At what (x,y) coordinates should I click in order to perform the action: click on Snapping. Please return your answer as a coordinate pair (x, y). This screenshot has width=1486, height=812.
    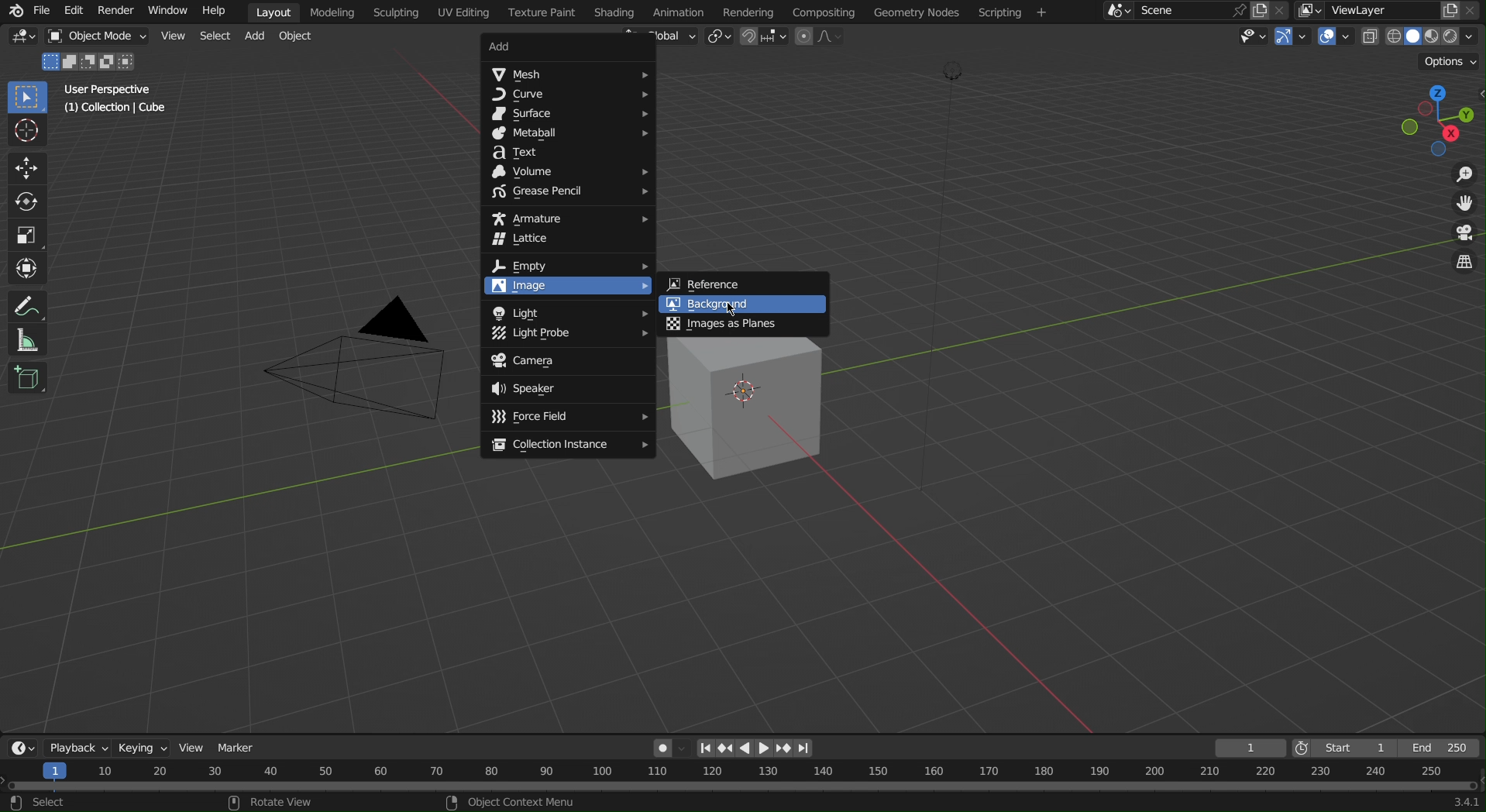
    Looking at the image, I should click on (764, 37).